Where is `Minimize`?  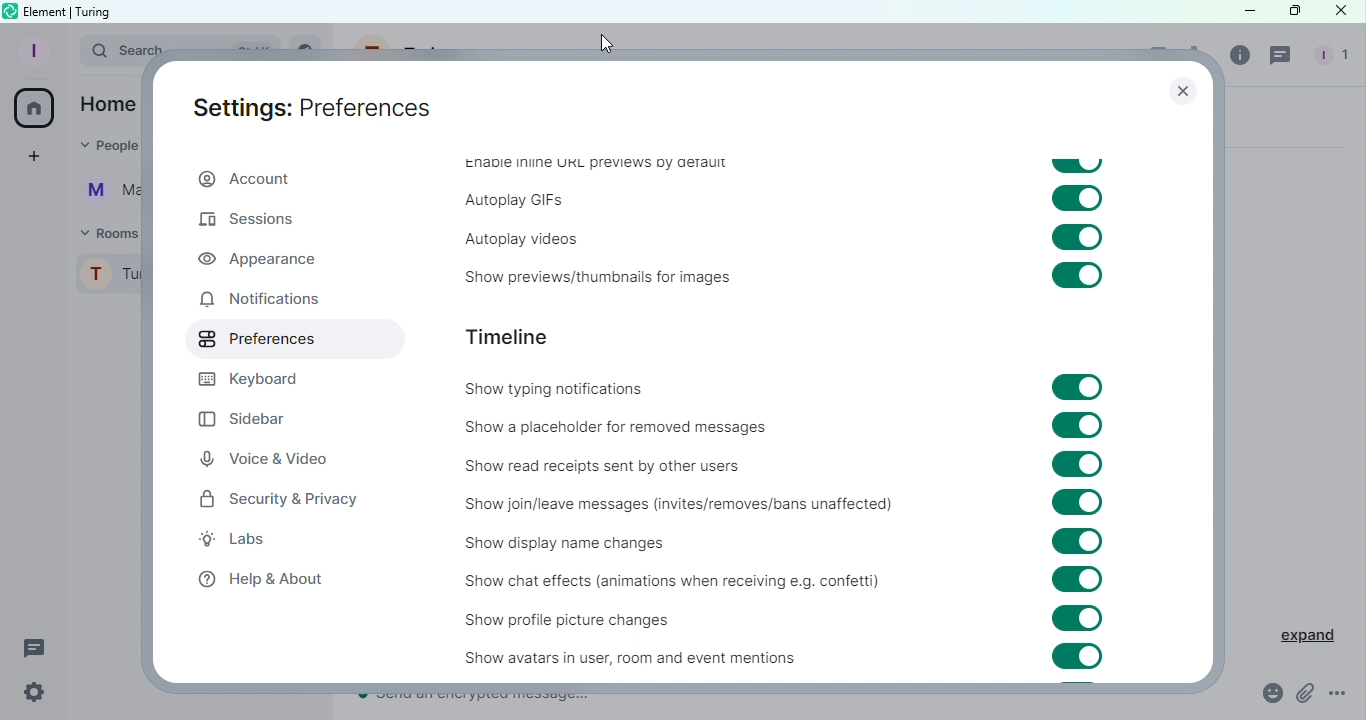 Minimize is located at coordinates (1237, 12).